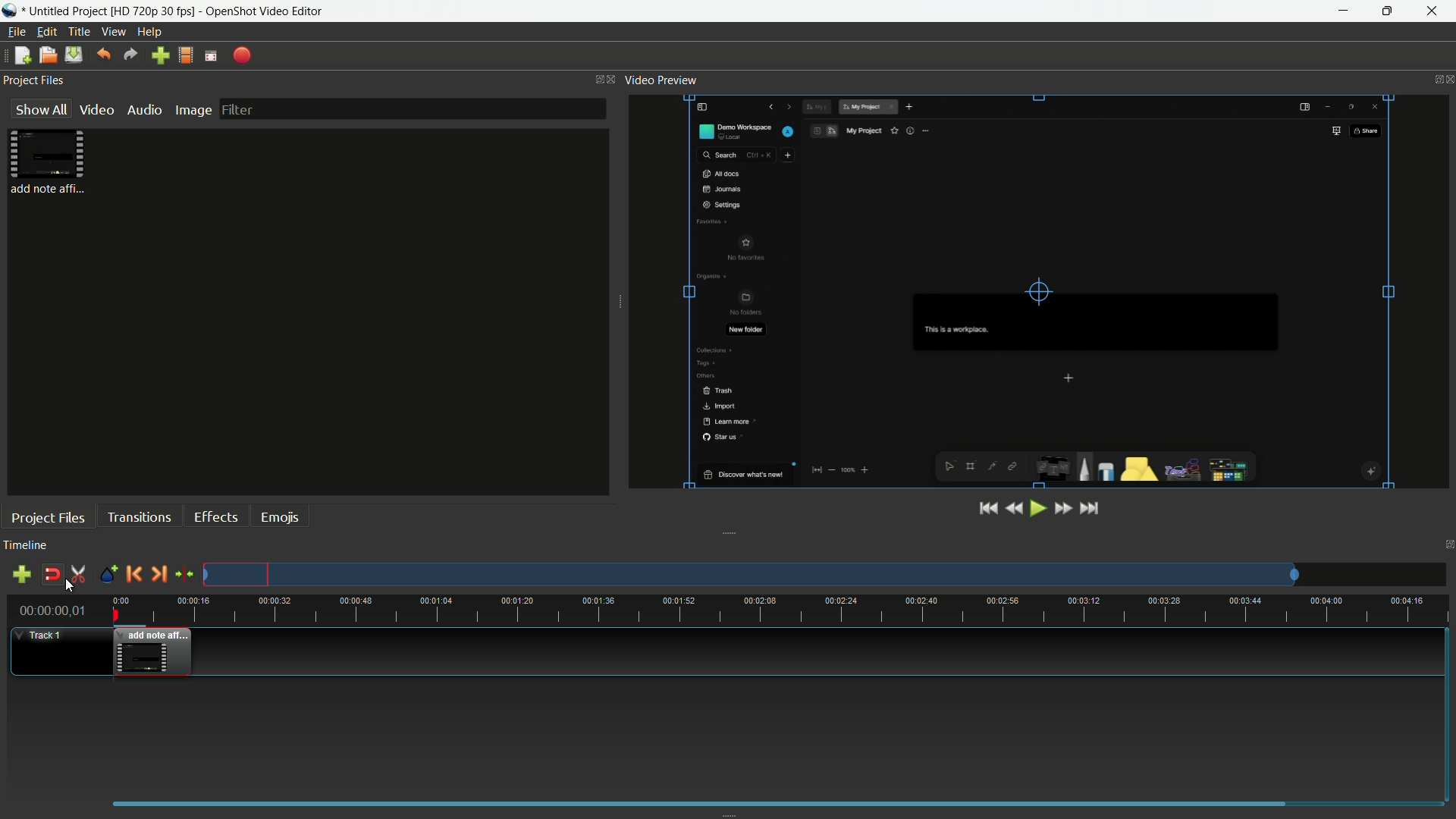  Describe the element at coordinates (987, 509) in the screenshot. I see `jump to start` at that location.